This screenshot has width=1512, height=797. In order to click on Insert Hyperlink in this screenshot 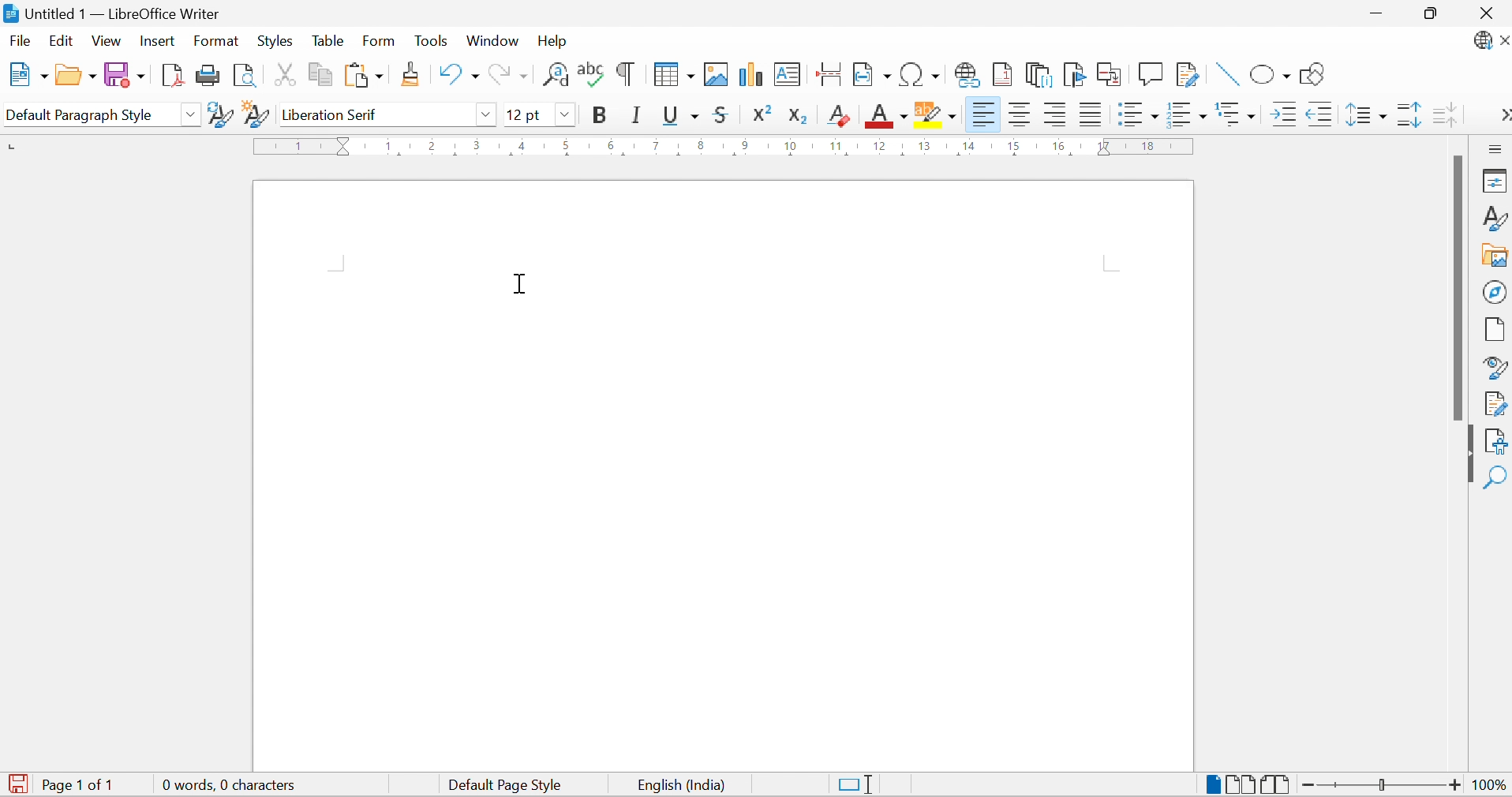, I will do `click(967, 74)`.